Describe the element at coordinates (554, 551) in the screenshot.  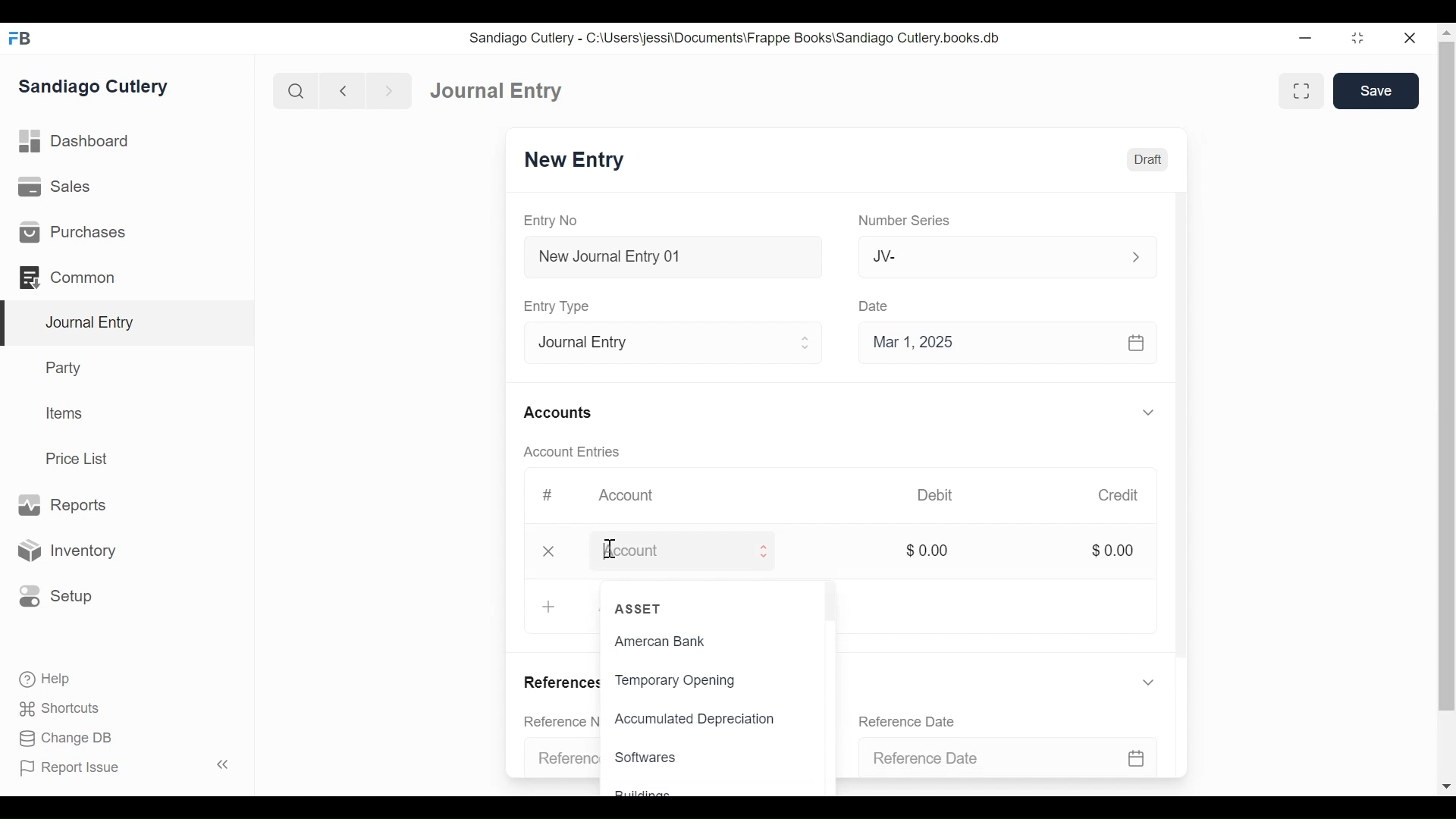
I see `delete` at that location.